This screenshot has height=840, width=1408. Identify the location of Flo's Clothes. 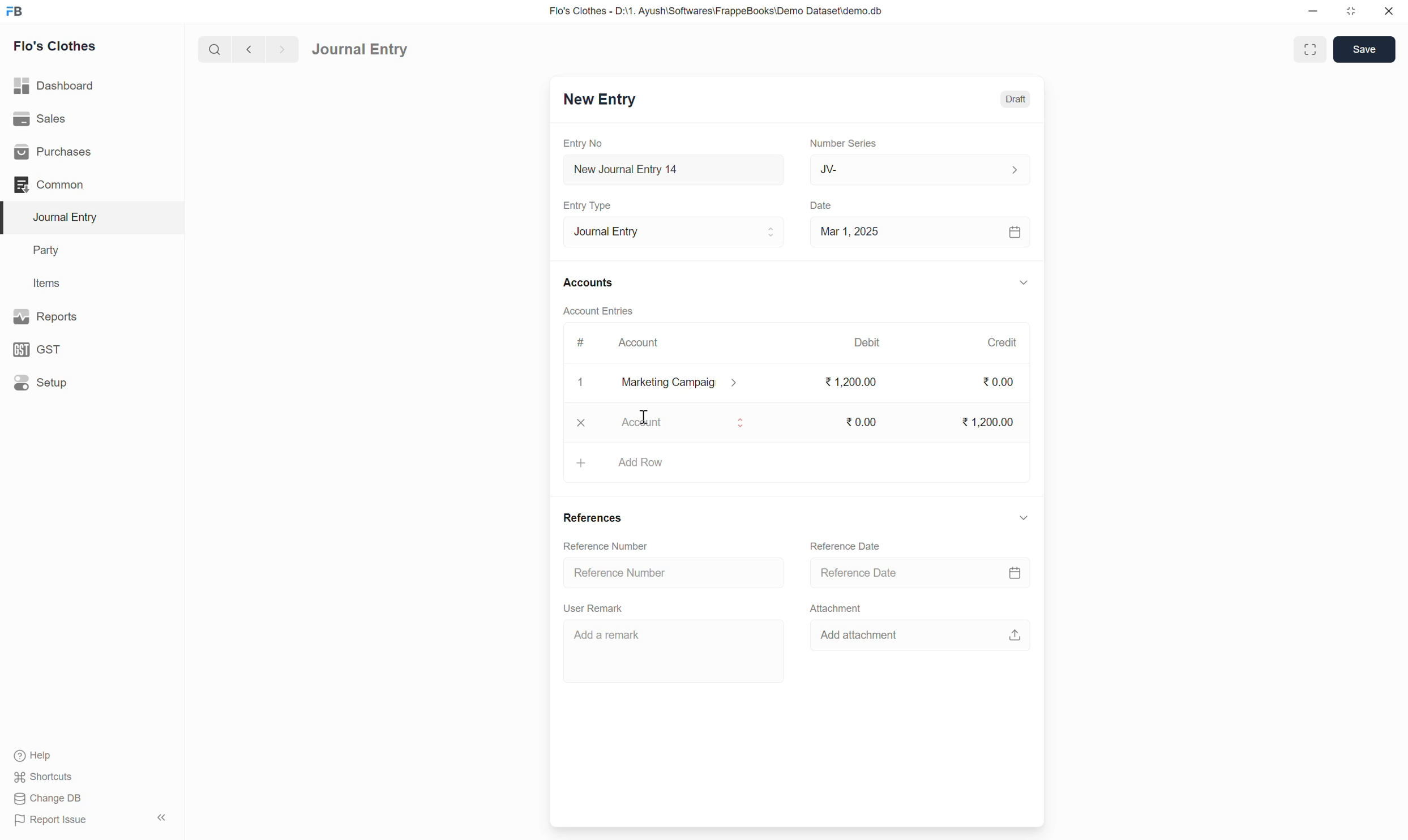
(57, 46).